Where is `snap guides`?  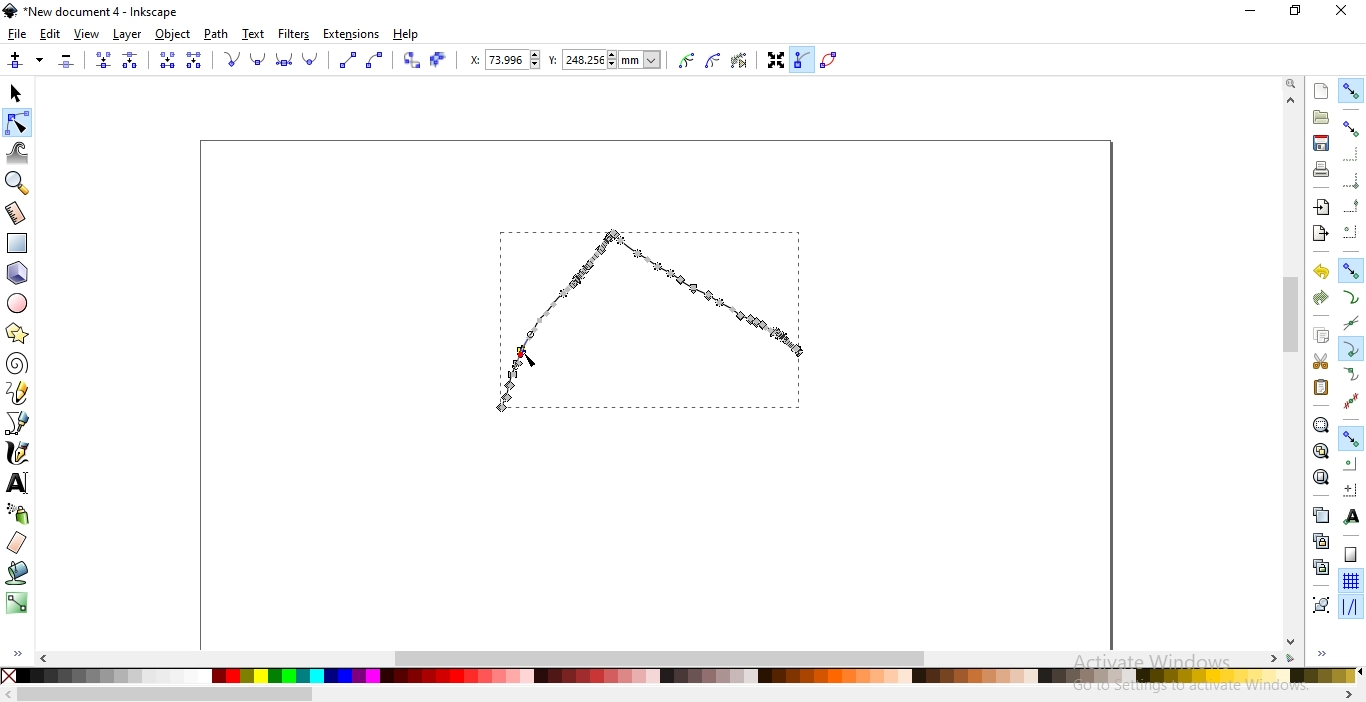
snap guides is located at coordinates (1348, 607).